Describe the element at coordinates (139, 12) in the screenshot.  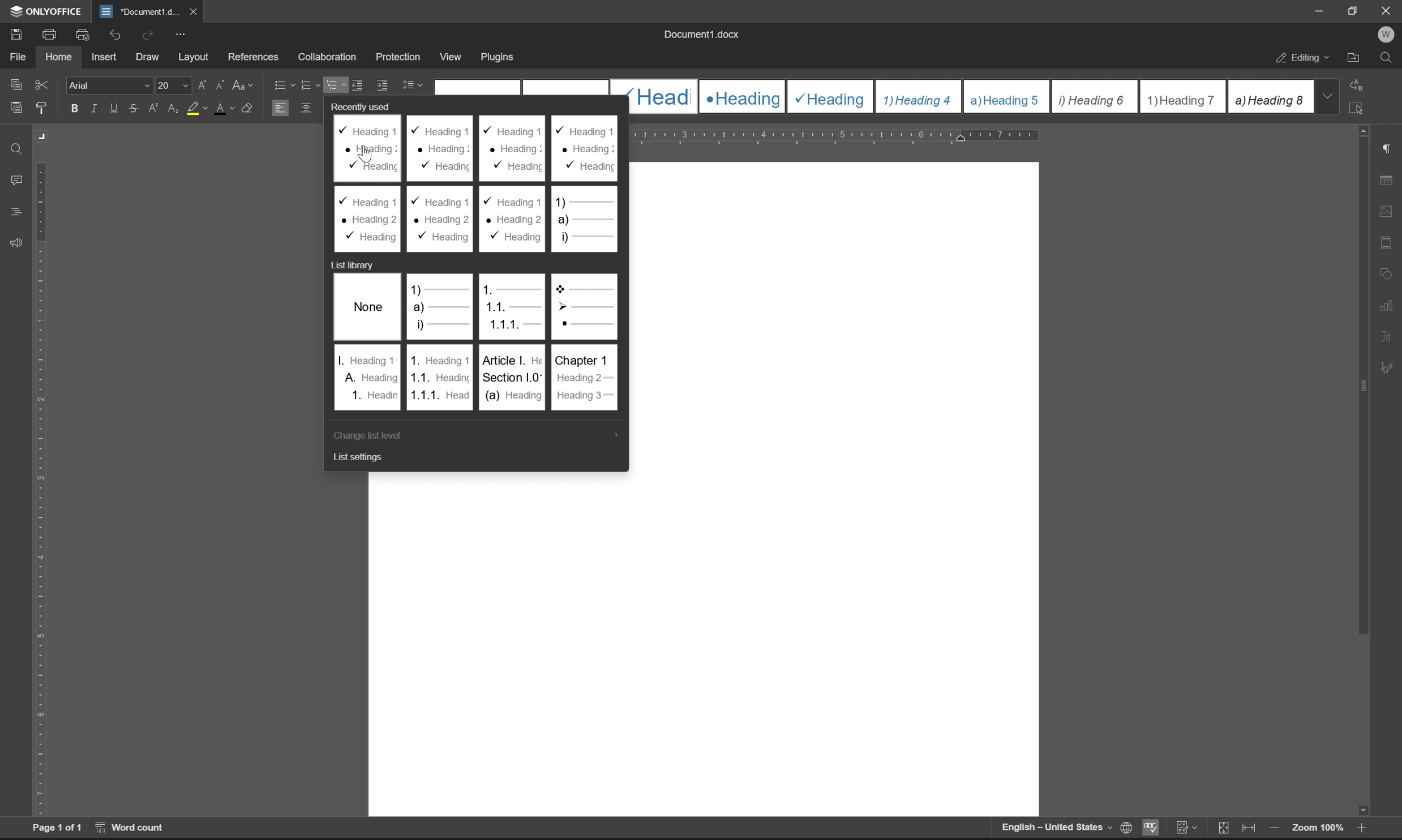
I see `document1` at that location.